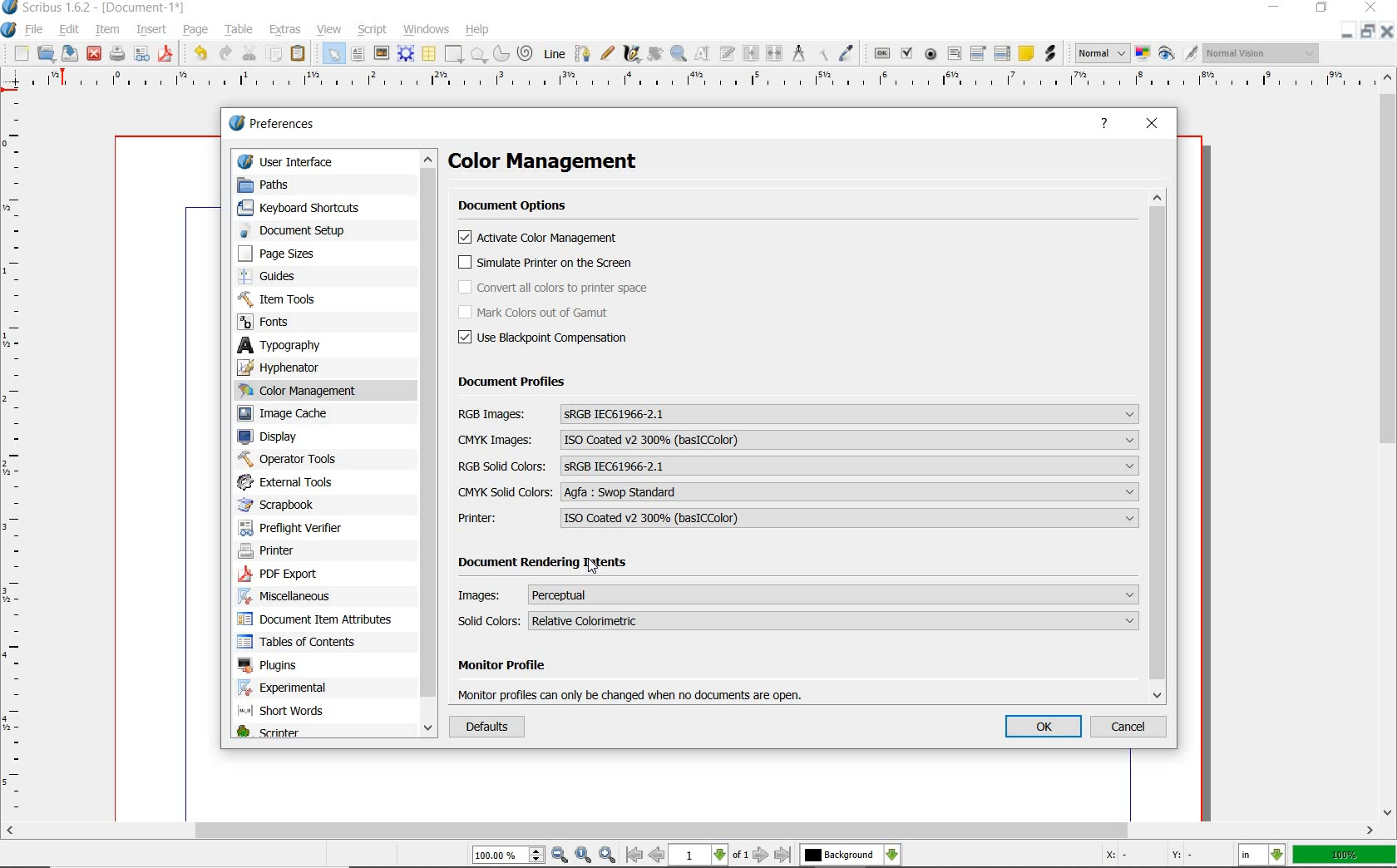 The height and width of the screenshot is (868, 1397). What do you see at coordinates (1051, 54) in the screenshot?
I see `link annotation` at bounding box center [1051, 54].